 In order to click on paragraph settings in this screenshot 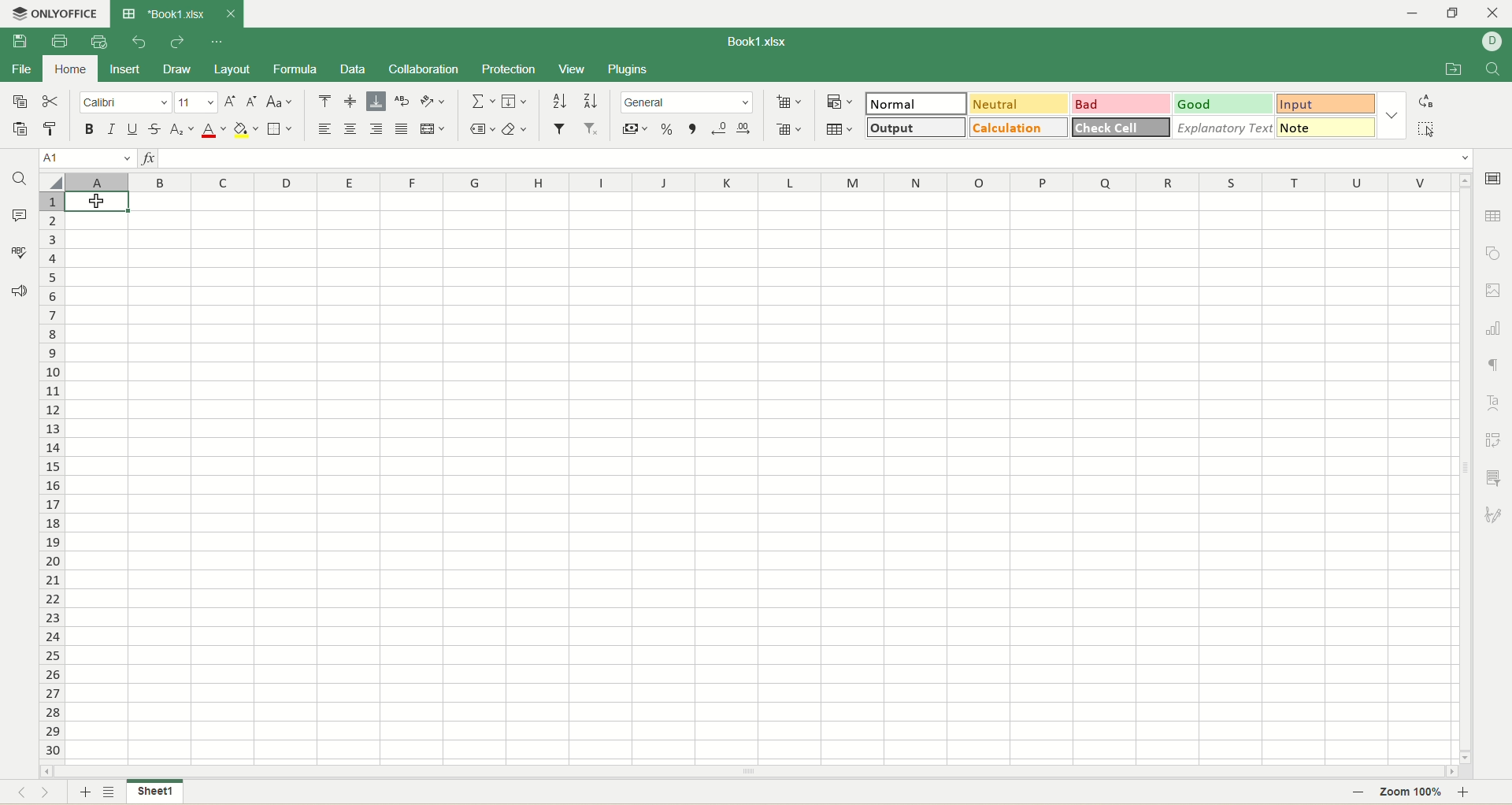, I will do `click(1494, 361)`.